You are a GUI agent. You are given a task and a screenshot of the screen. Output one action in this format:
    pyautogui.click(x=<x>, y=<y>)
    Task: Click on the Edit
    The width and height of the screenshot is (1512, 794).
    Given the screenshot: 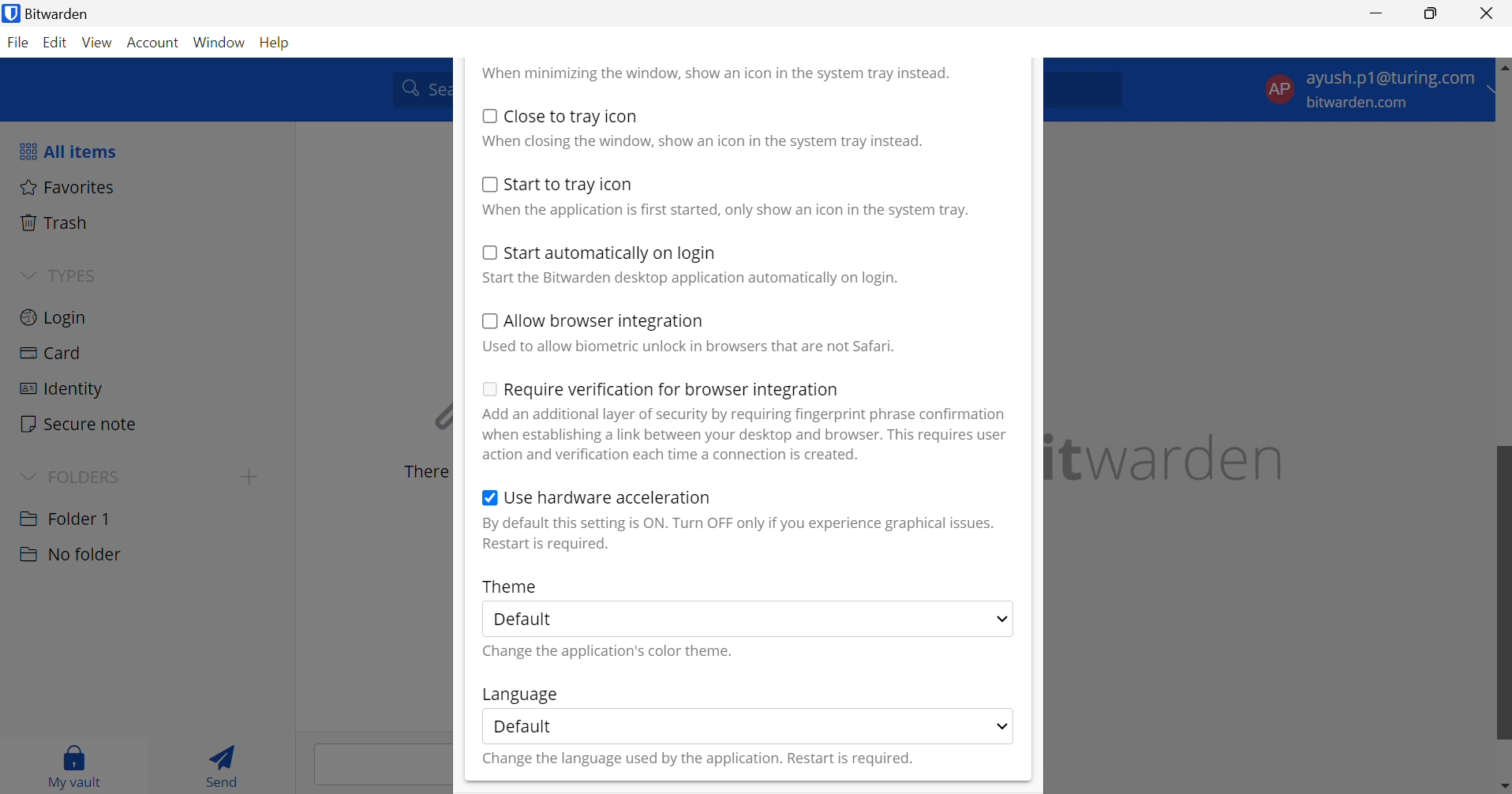 What is the action you would take?
    pyautogui.click(x=56, y=44)
    